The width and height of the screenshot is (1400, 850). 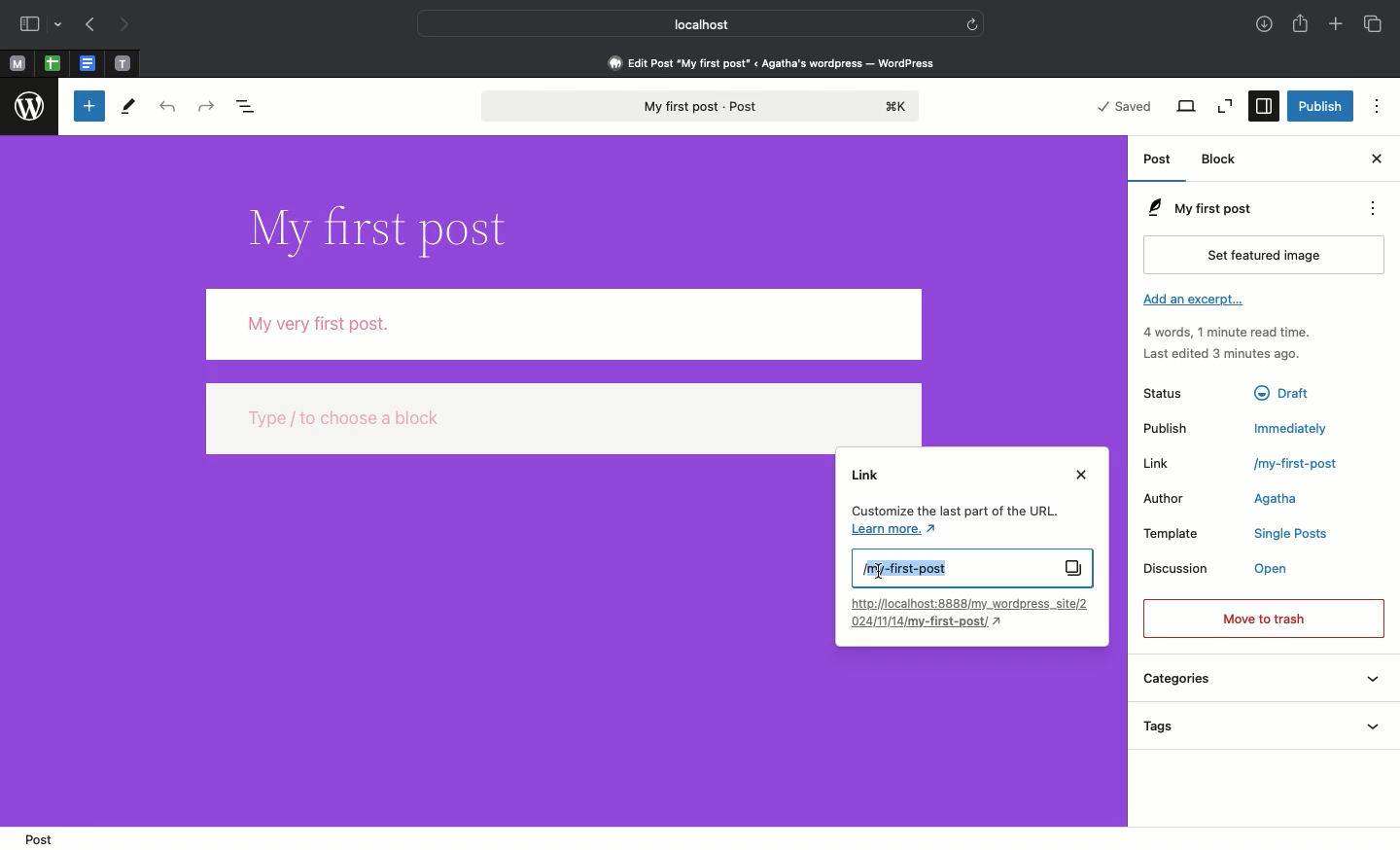 I want to click on Title, so click(x=389, y=230).